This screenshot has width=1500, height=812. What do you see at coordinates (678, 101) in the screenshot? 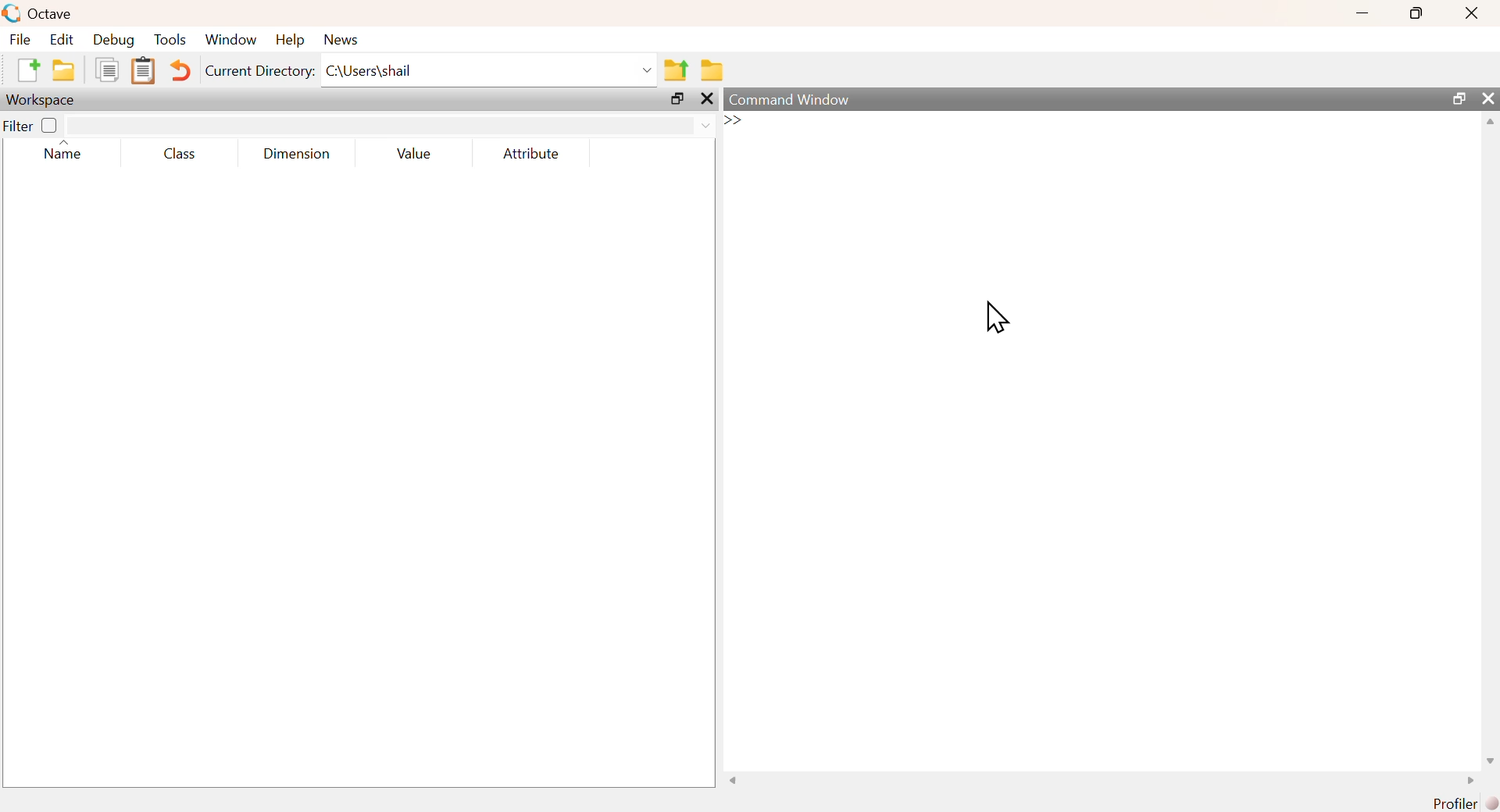
I see `maximize` at bounding box center [678, 101].